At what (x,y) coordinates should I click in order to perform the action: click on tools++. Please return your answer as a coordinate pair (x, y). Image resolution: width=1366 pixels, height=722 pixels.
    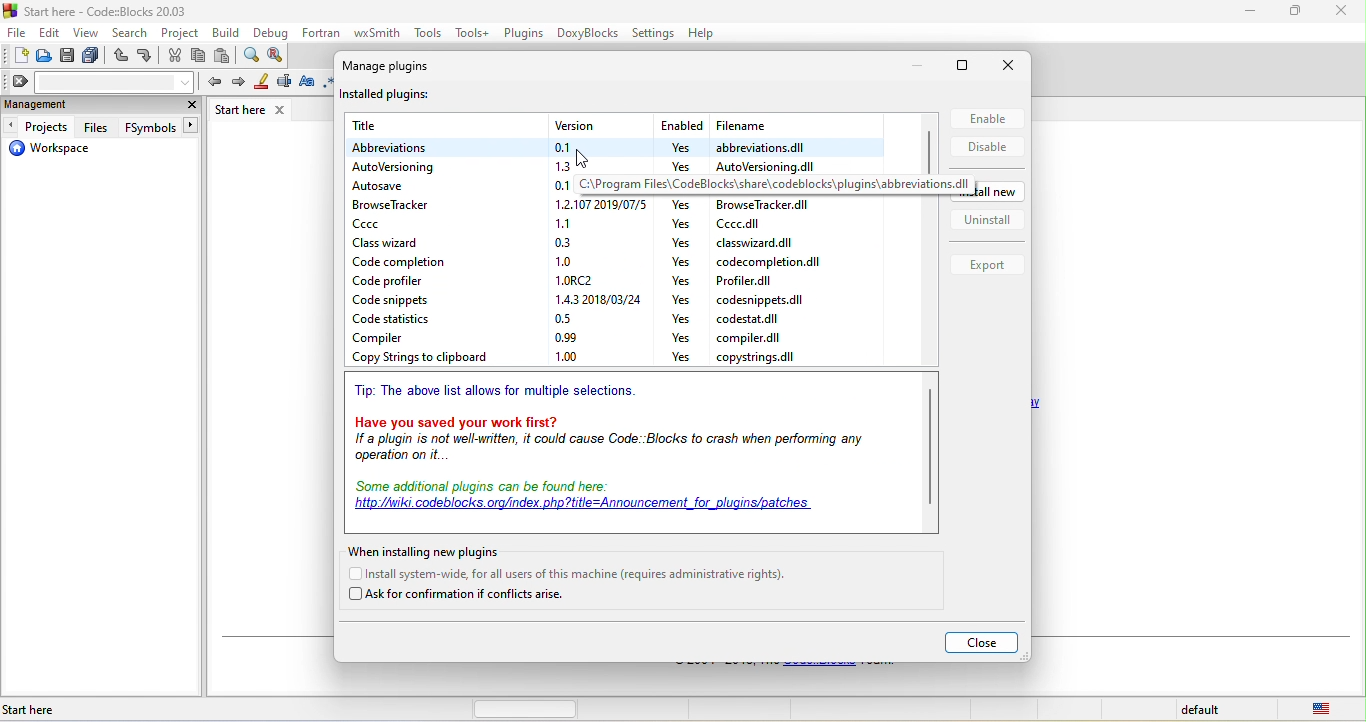
    Looking at the image, I should click on (473, 32).